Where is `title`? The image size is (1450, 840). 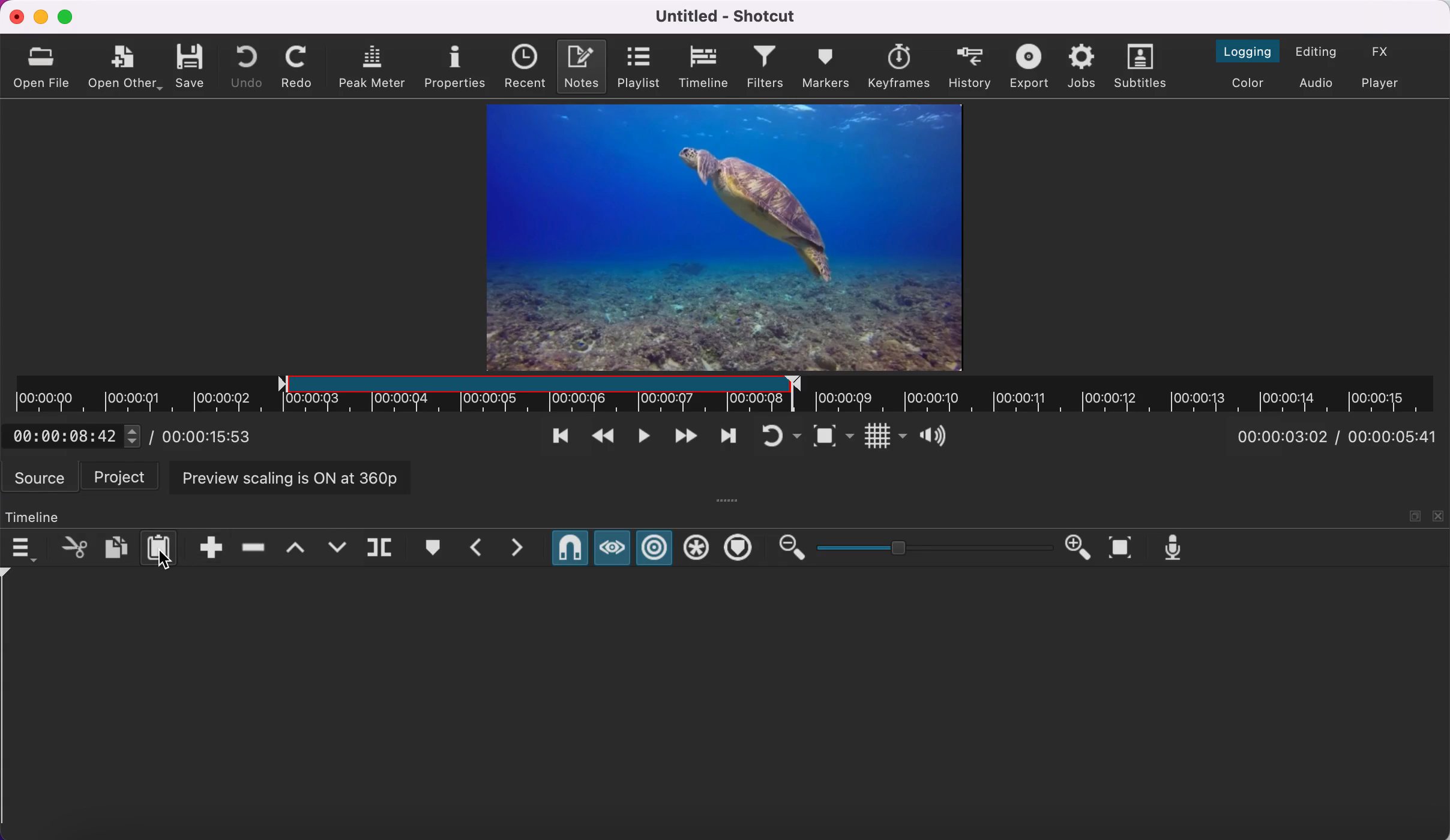 title is located at coordinates (733, 17).